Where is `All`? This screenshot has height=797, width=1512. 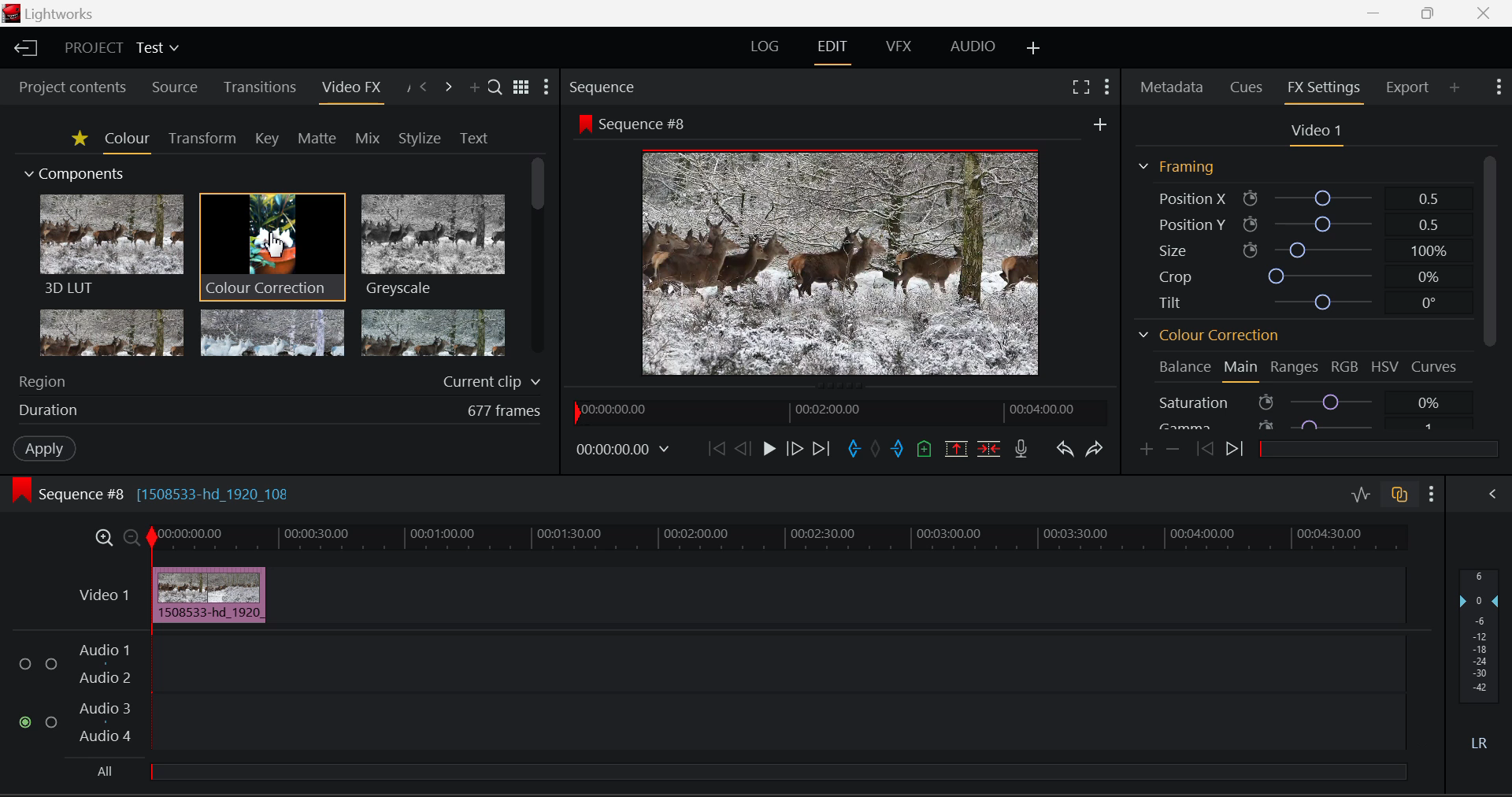
All is located at coordinates (744, 776).